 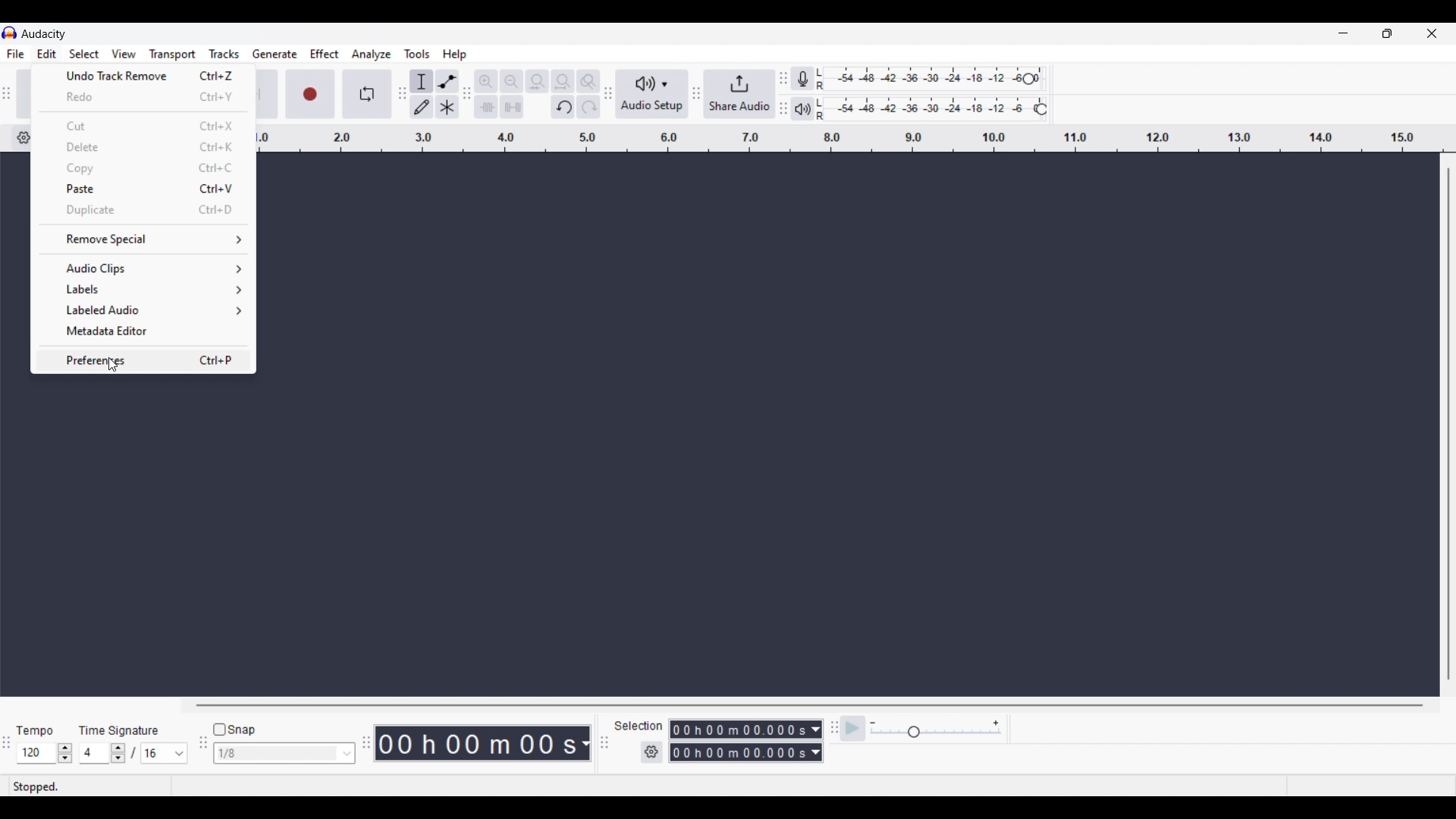 I want to click on Time Signature, so click(x=121, y=730).